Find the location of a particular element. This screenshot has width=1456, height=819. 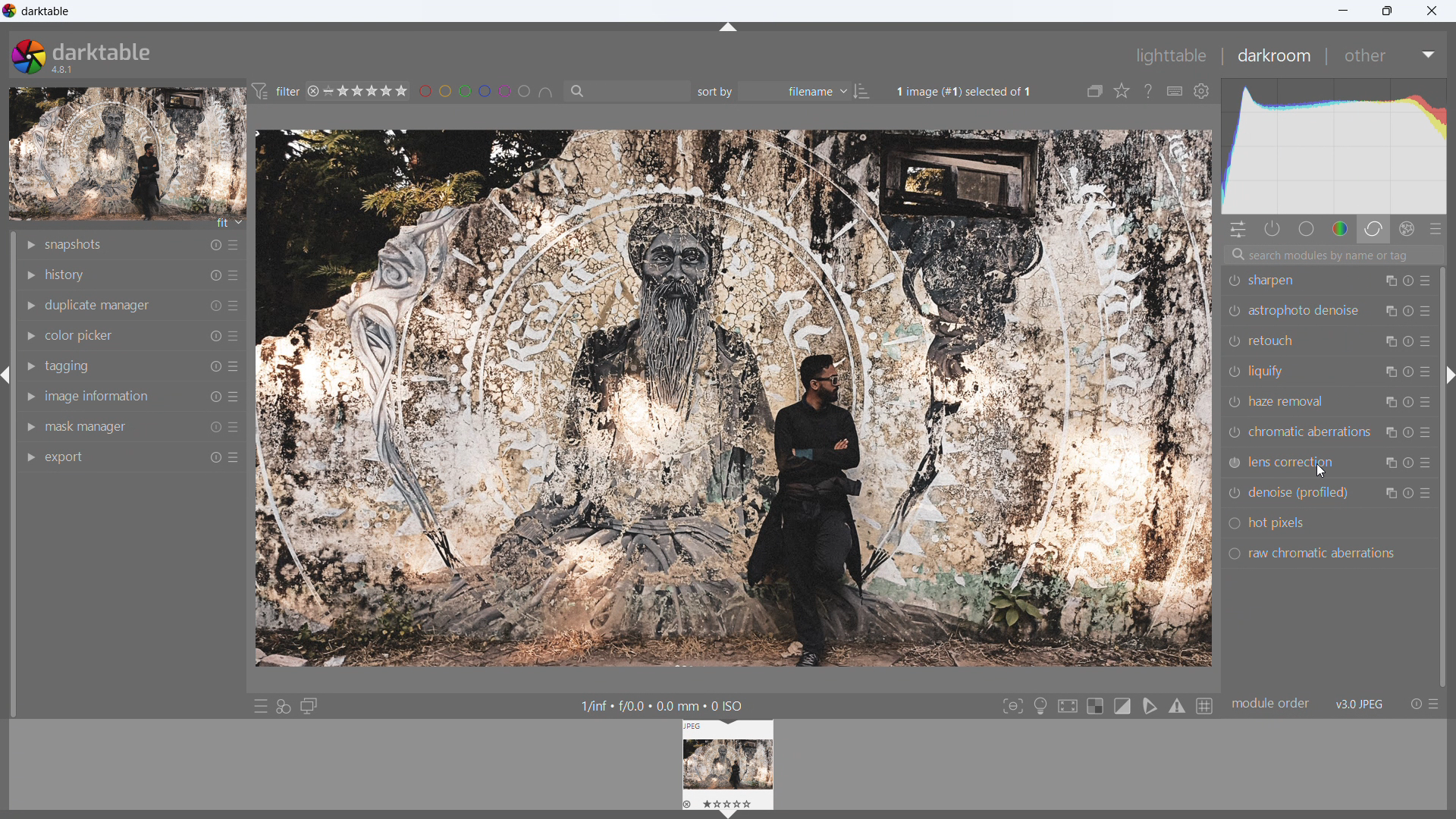

reset is located at coordinates (215, 369).